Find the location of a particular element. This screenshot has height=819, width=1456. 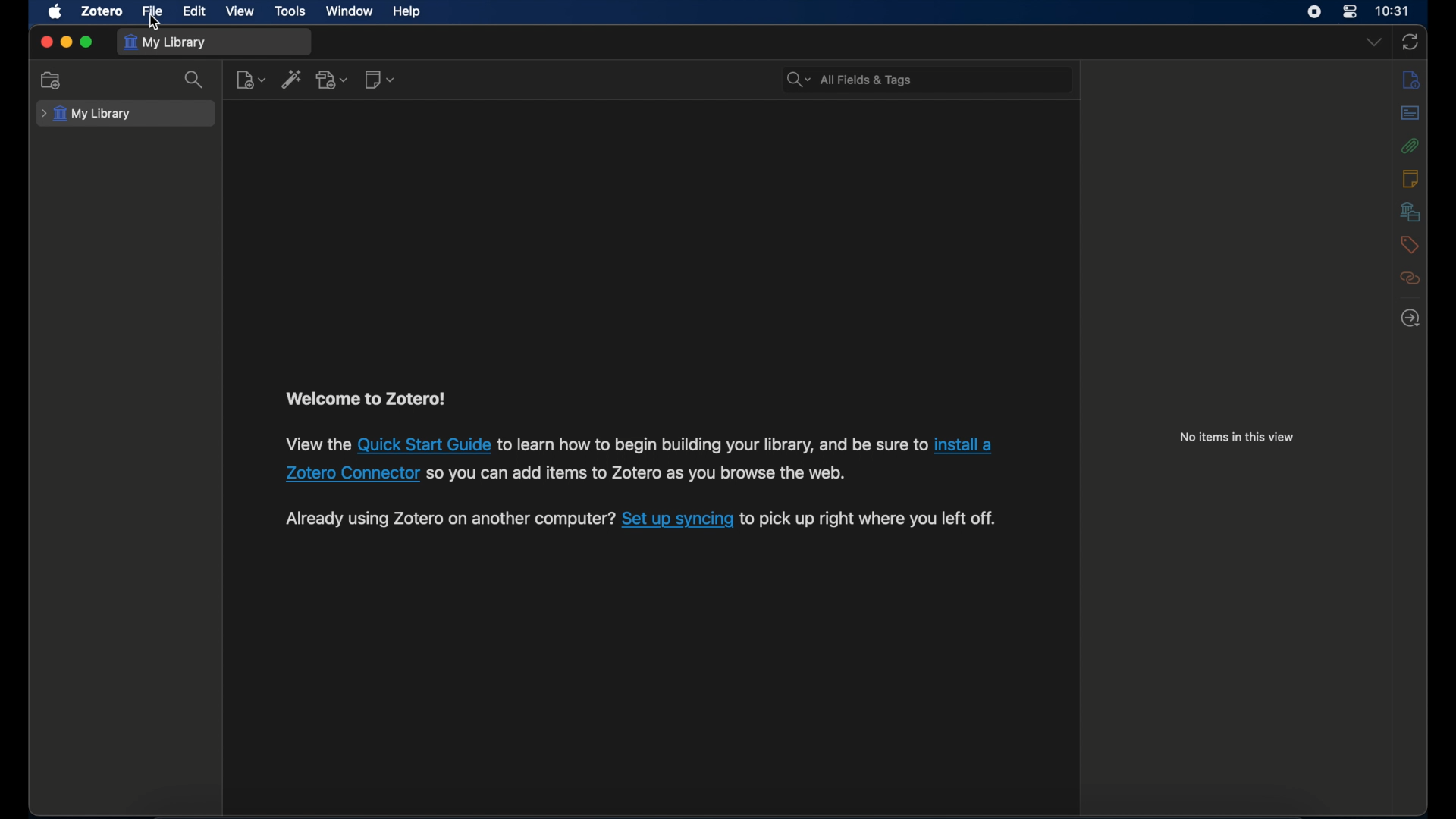

time is located at coordinates (1393, 11).